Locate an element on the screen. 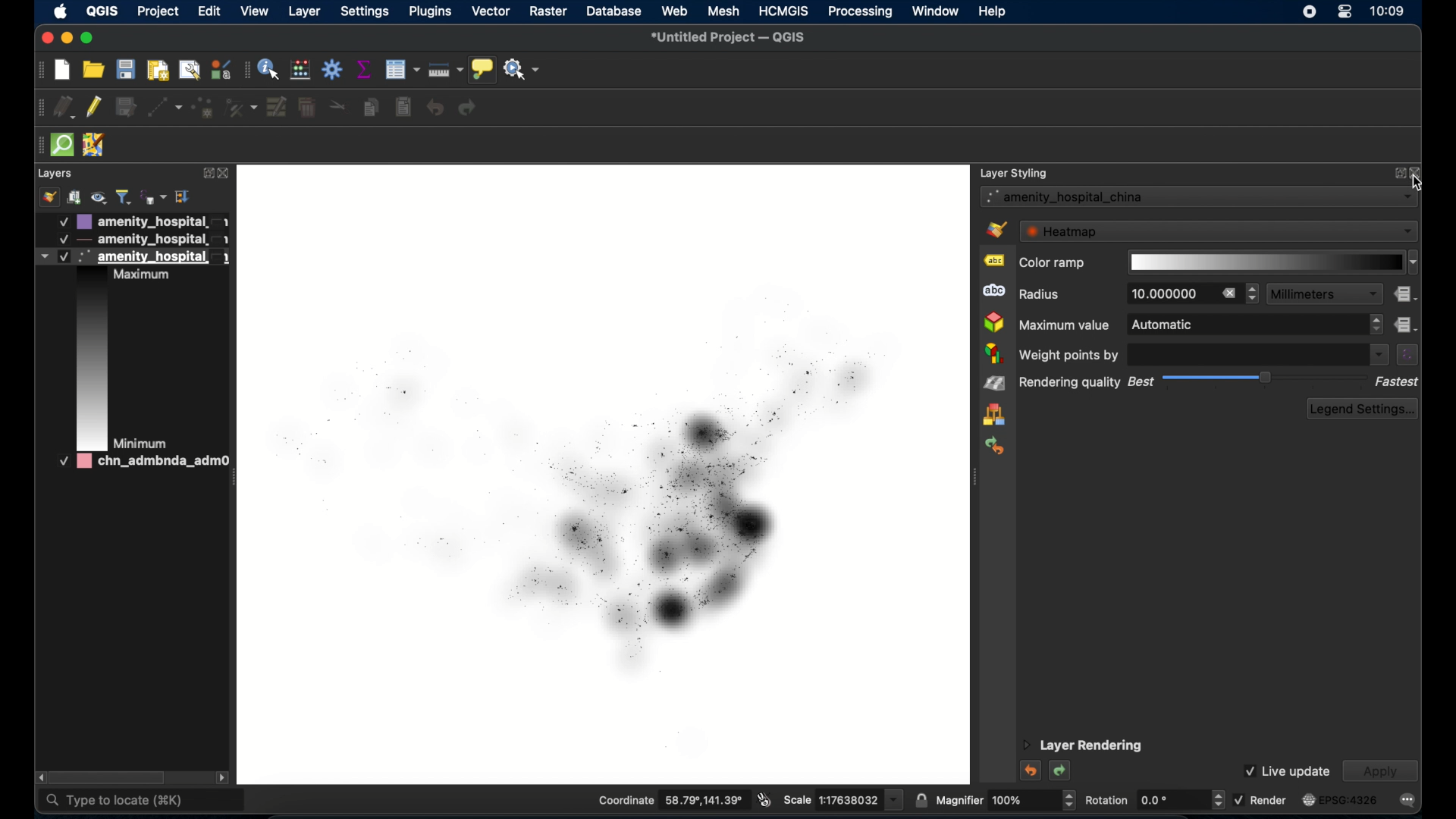 This screenshot has width=1456, height=819. radius is located at coordinates (1042, 294).